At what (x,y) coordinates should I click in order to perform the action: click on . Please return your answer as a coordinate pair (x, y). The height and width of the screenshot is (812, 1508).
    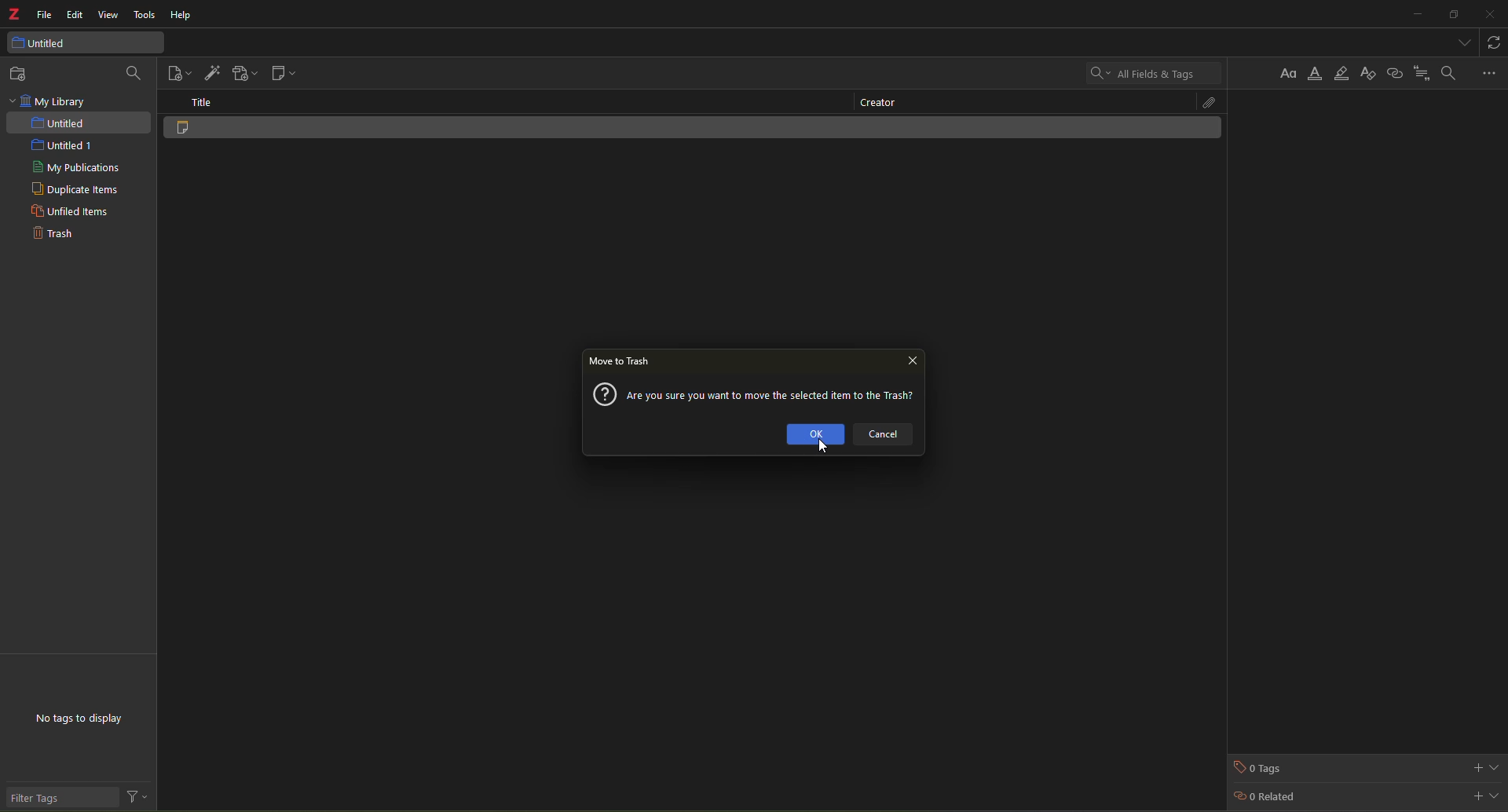
    Looking at the image, I should click on (1290, 73).